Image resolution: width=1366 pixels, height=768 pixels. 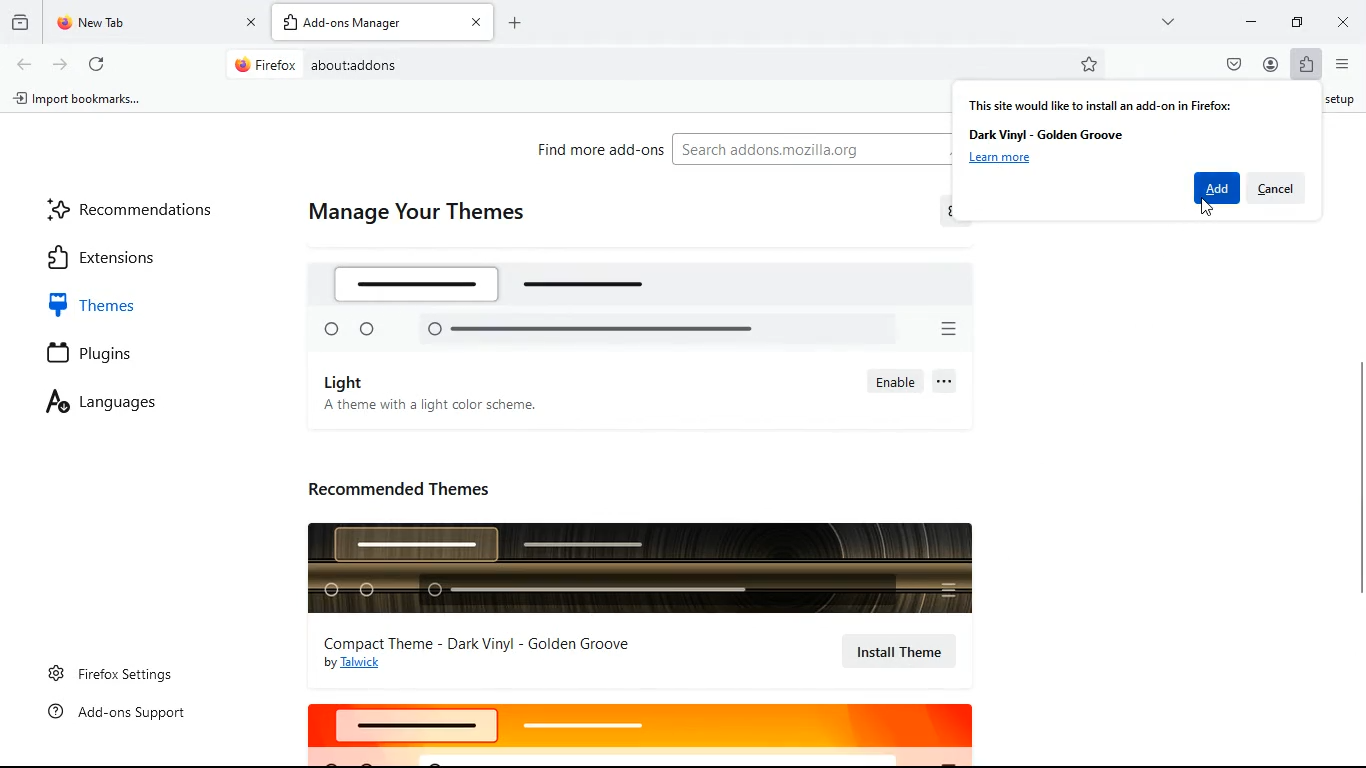 I want to click on Search bar, so click(x=670, y=65).